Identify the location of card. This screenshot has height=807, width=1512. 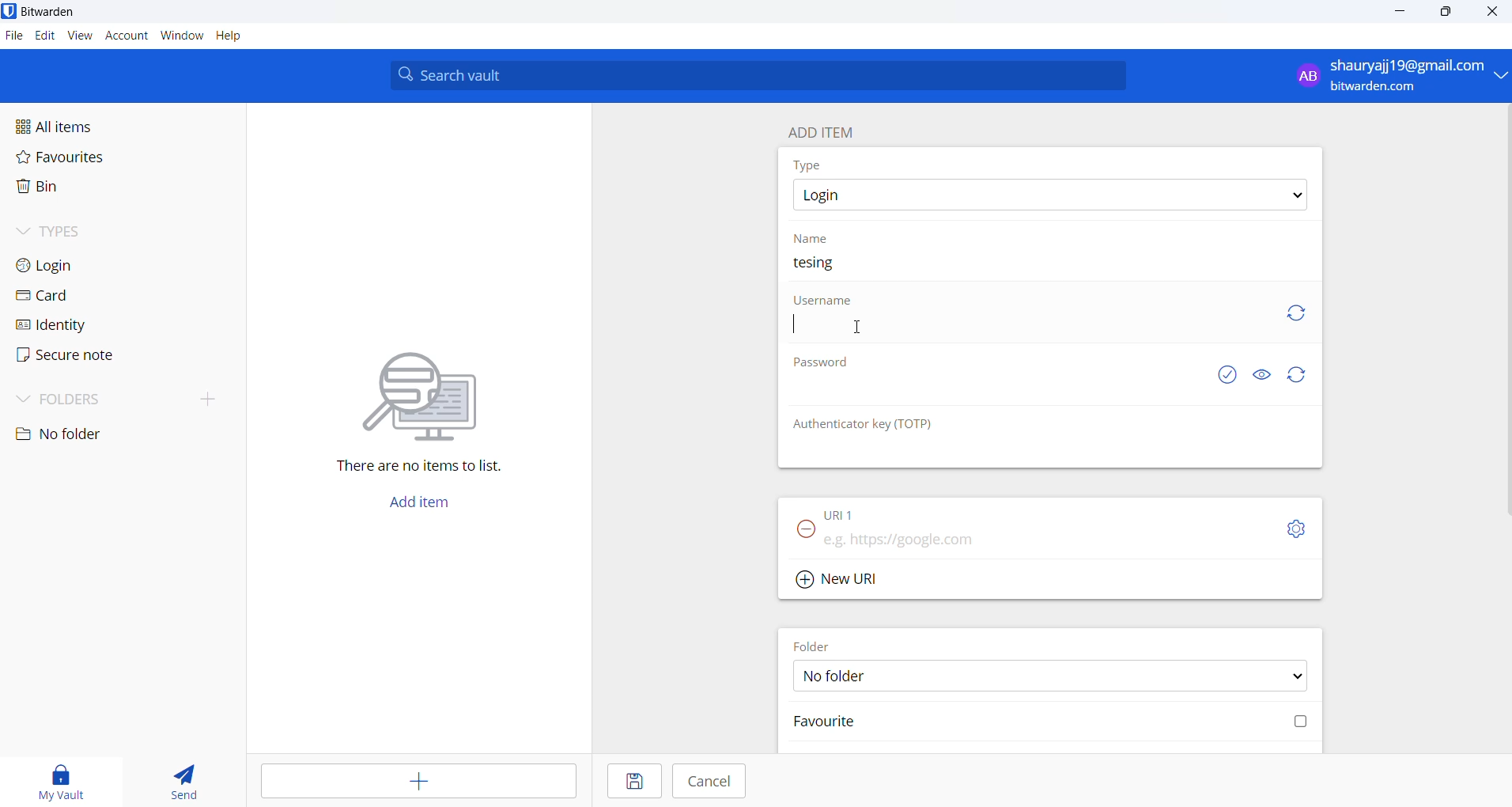
(89, 296).